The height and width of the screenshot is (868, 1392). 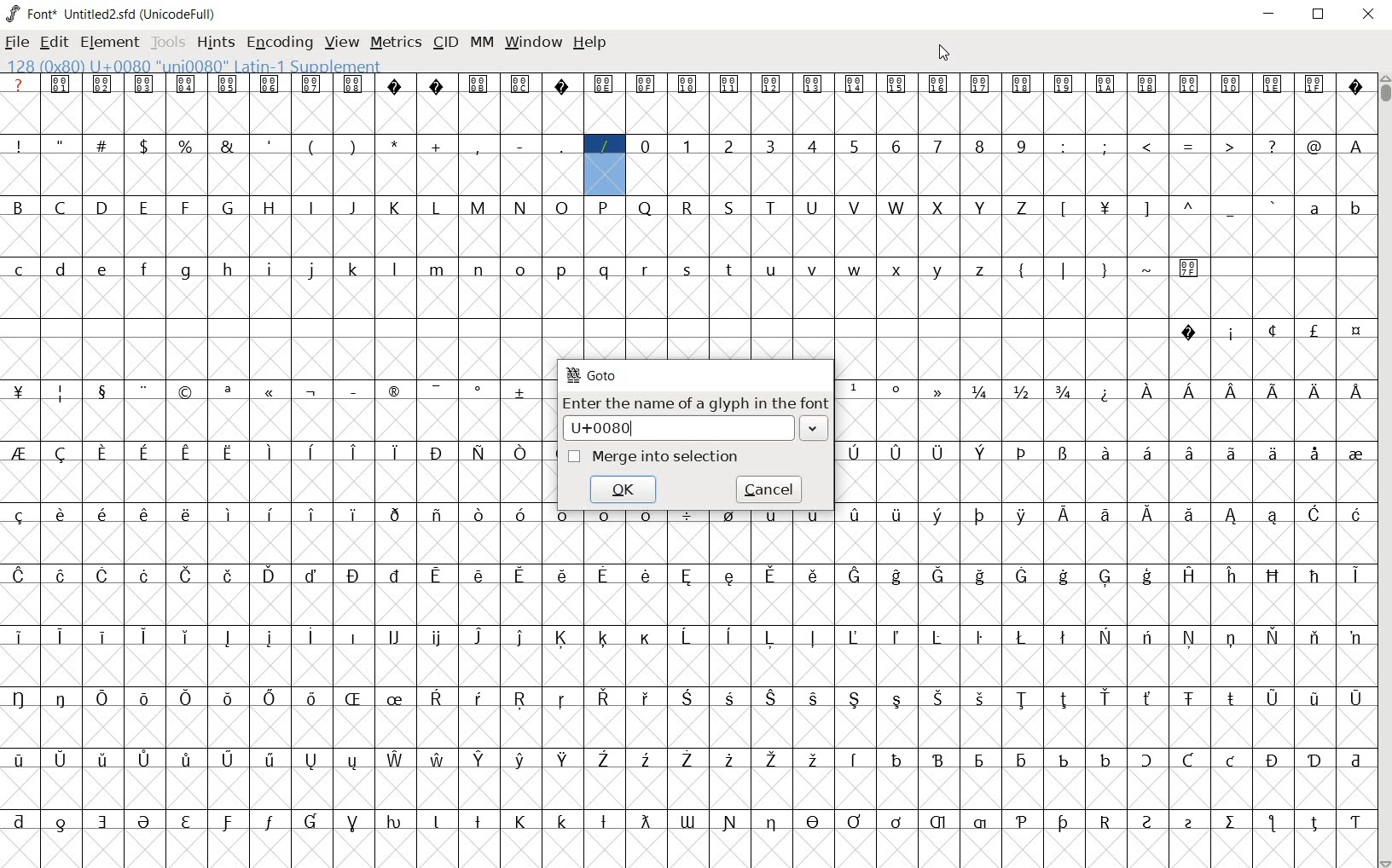 I want to click on glyph, so click(x=1273, y=761).